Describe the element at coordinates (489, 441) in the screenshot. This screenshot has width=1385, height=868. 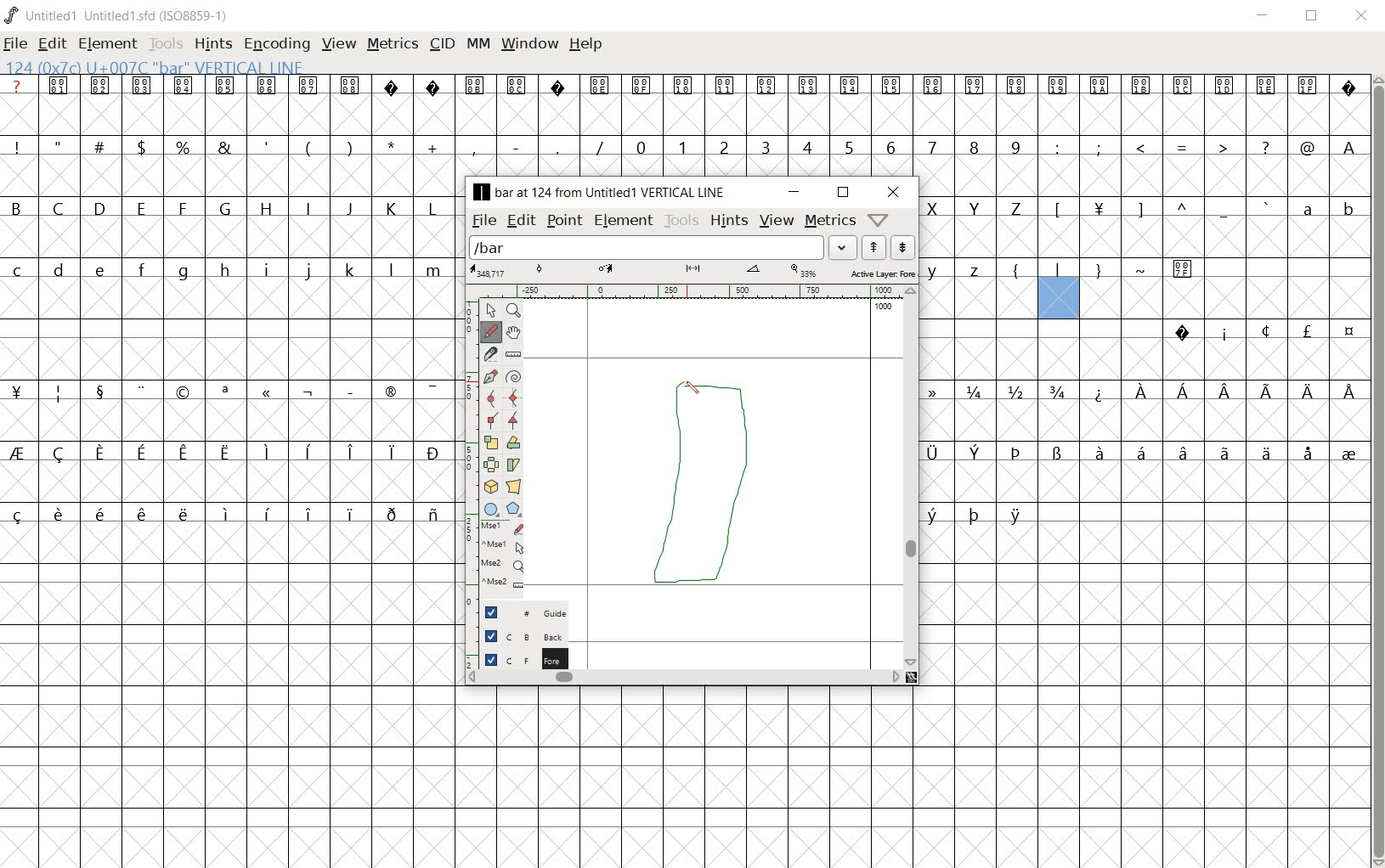
I see `scale the selection` at that location.